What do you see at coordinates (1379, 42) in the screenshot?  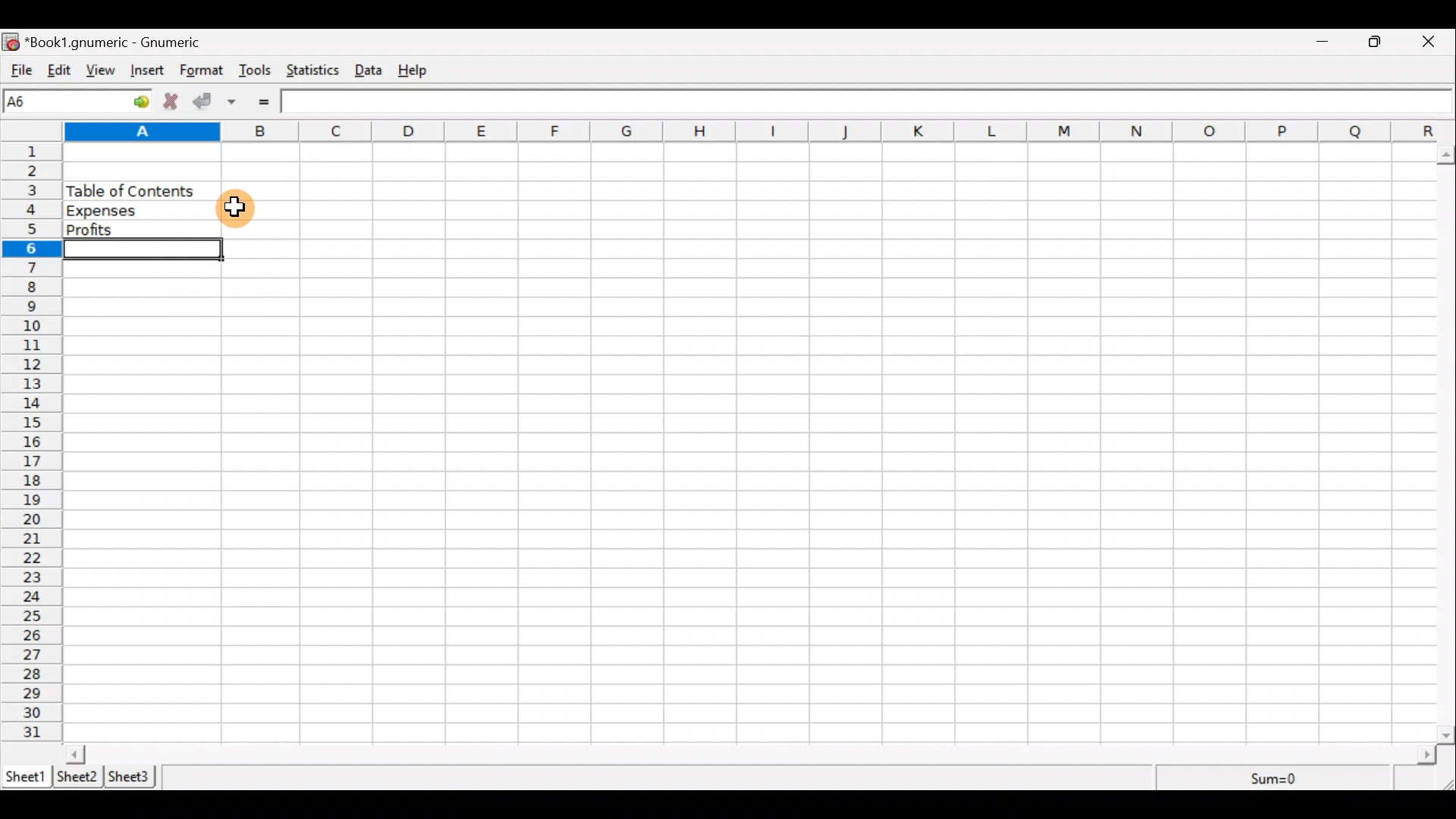 I see `Maximize/Minimize` at bounding box center [1379, 42].